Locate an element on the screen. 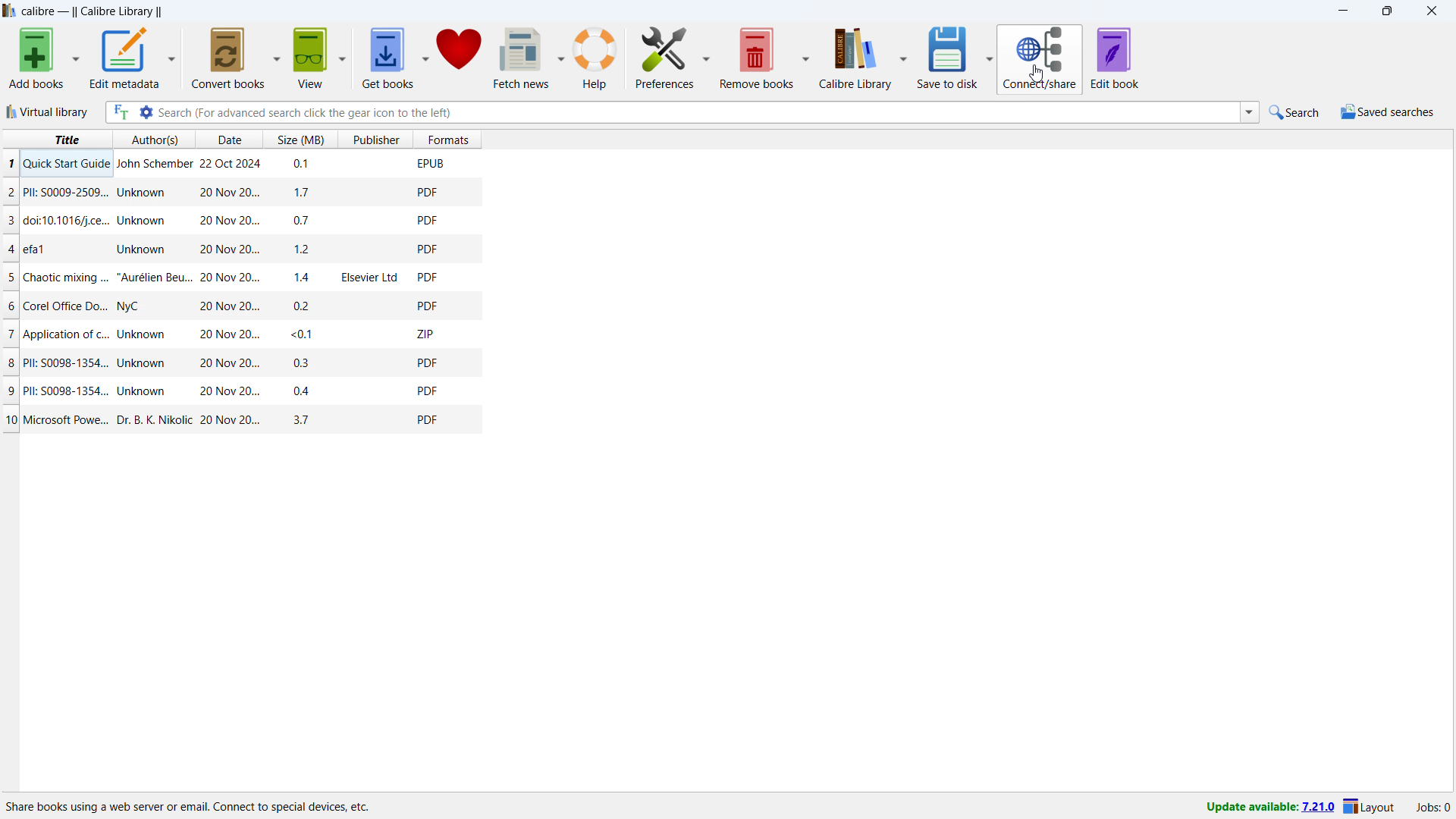 The image size is (1456, 819). one book entry is located at coordinates (243, 420).